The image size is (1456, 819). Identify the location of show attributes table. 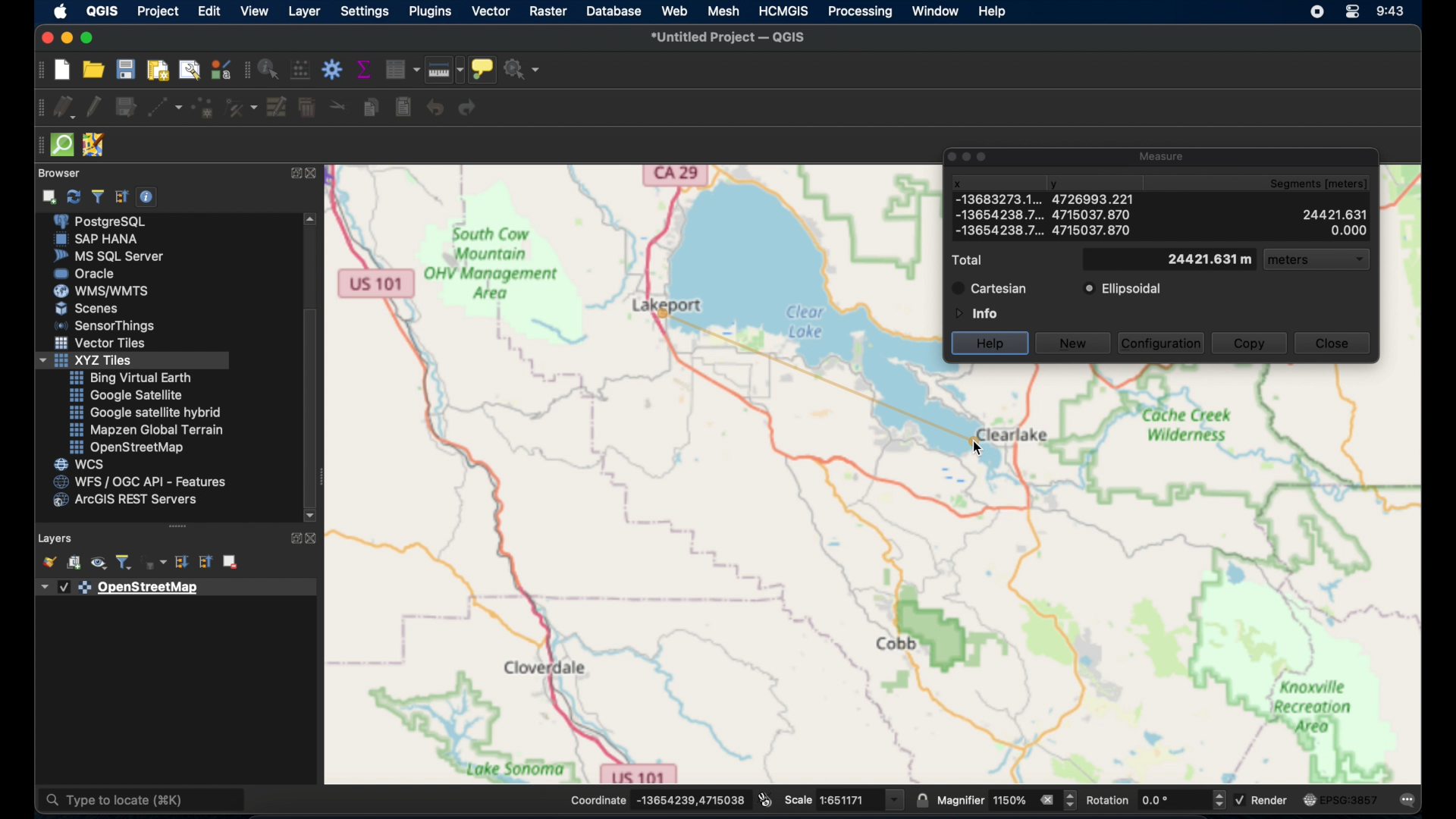
(402, 69).